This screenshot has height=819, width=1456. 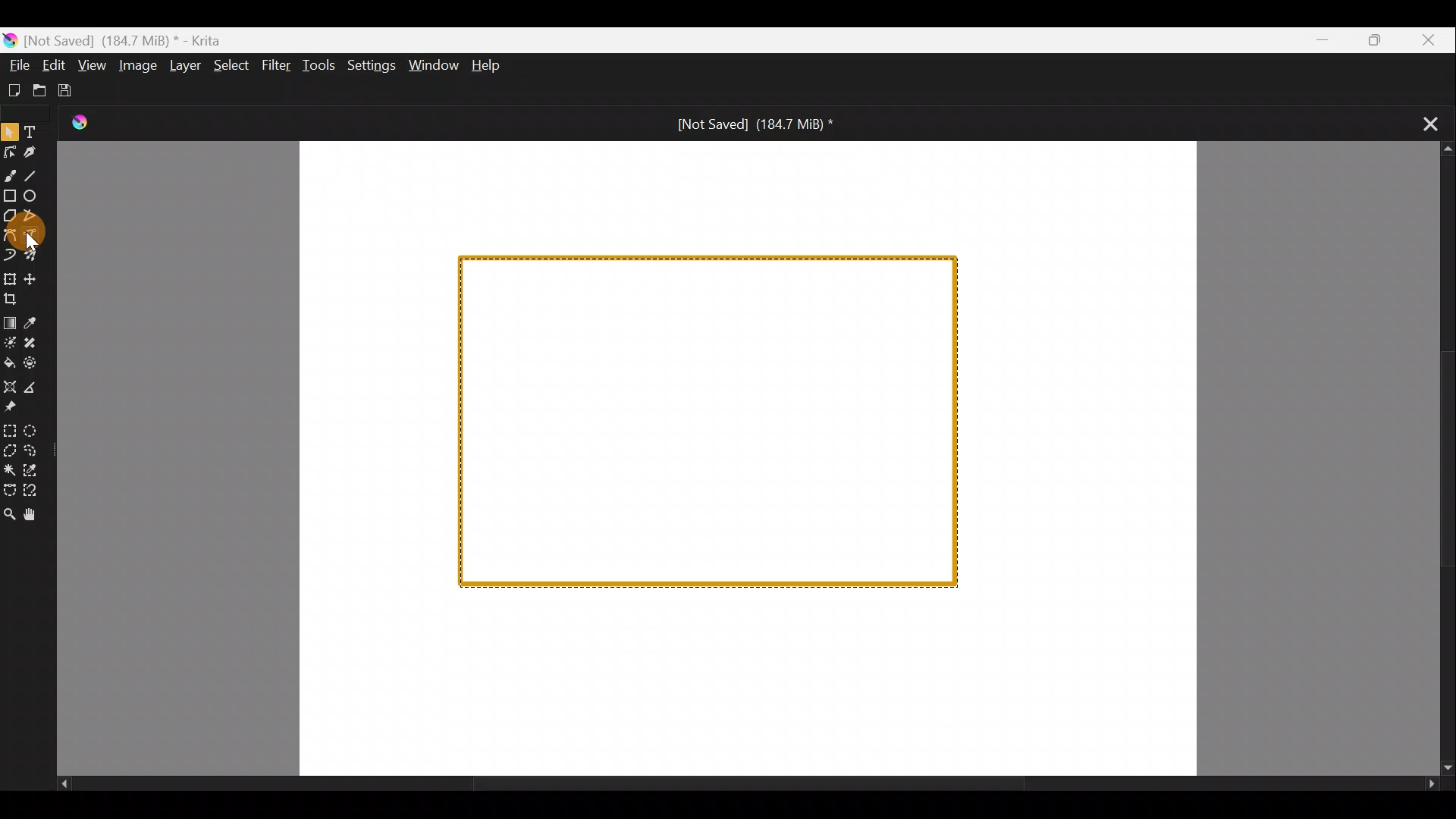 What do you see at coordinates (9, 452) in the screenshot?
I see `Polygonal selection tool` at bounding box center [9, 452].